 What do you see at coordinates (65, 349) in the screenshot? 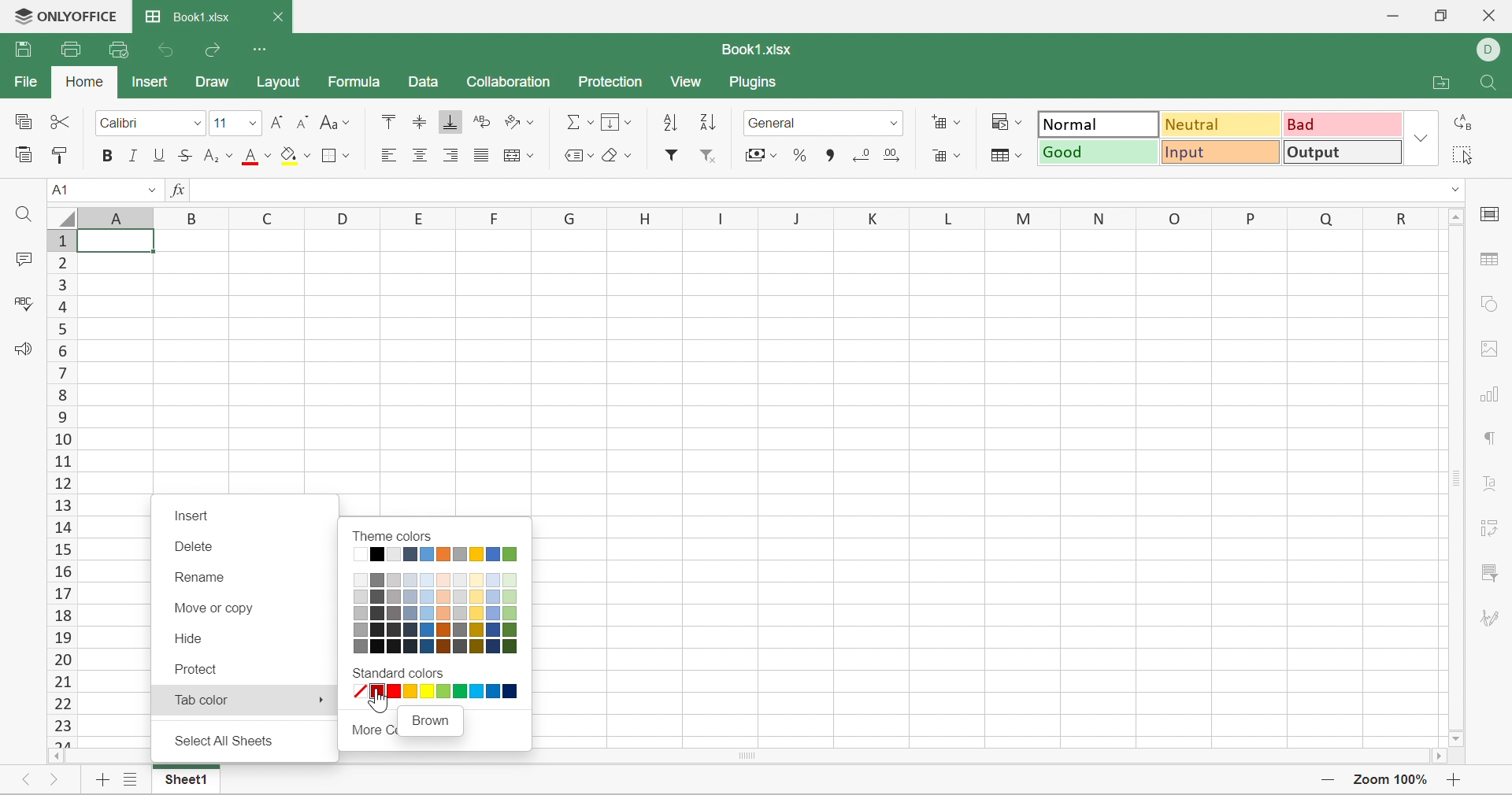
I see `6` at bounding box center [65, 349].